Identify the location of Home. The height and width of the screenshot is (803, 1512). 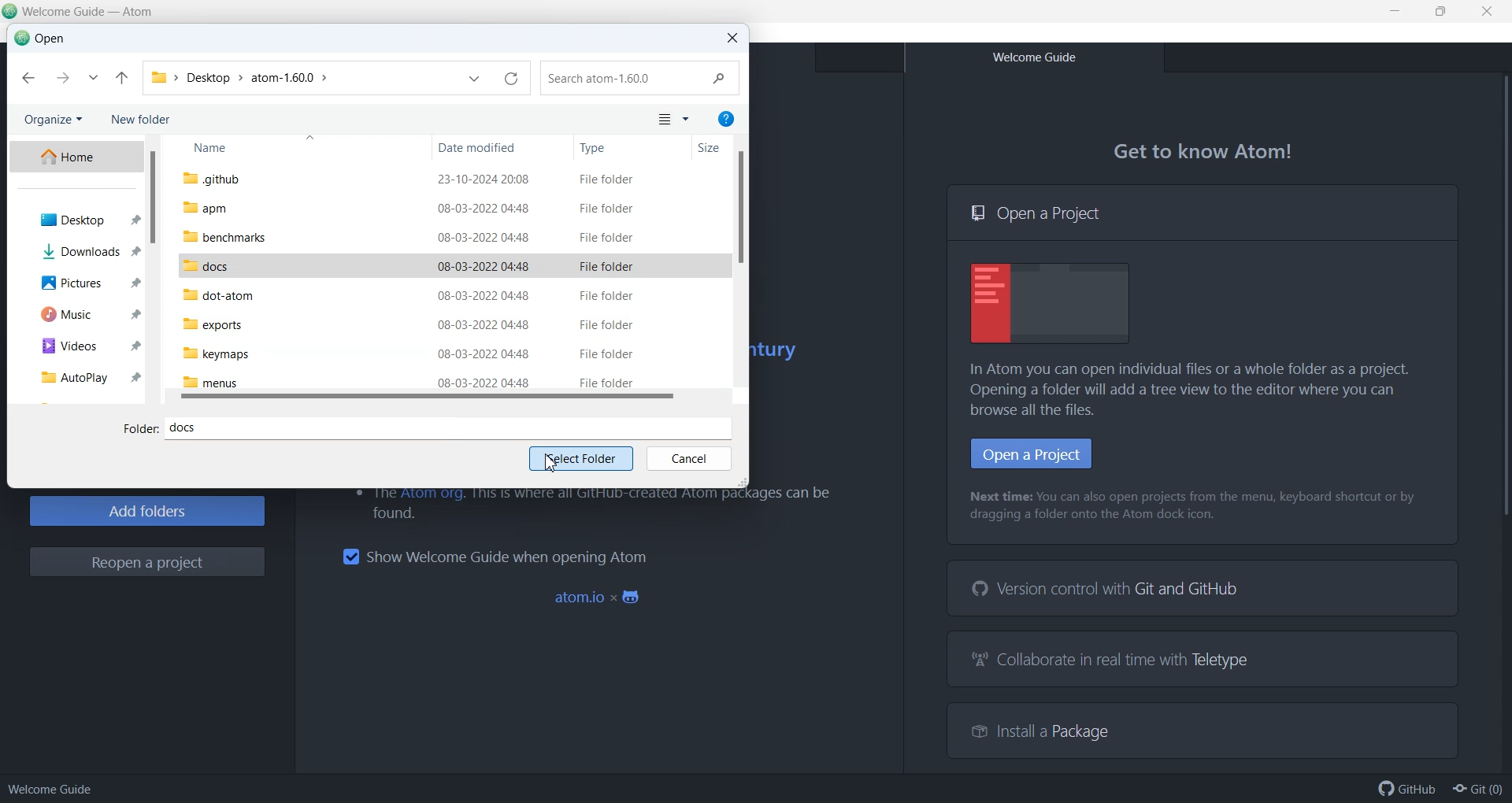
(75, 157).